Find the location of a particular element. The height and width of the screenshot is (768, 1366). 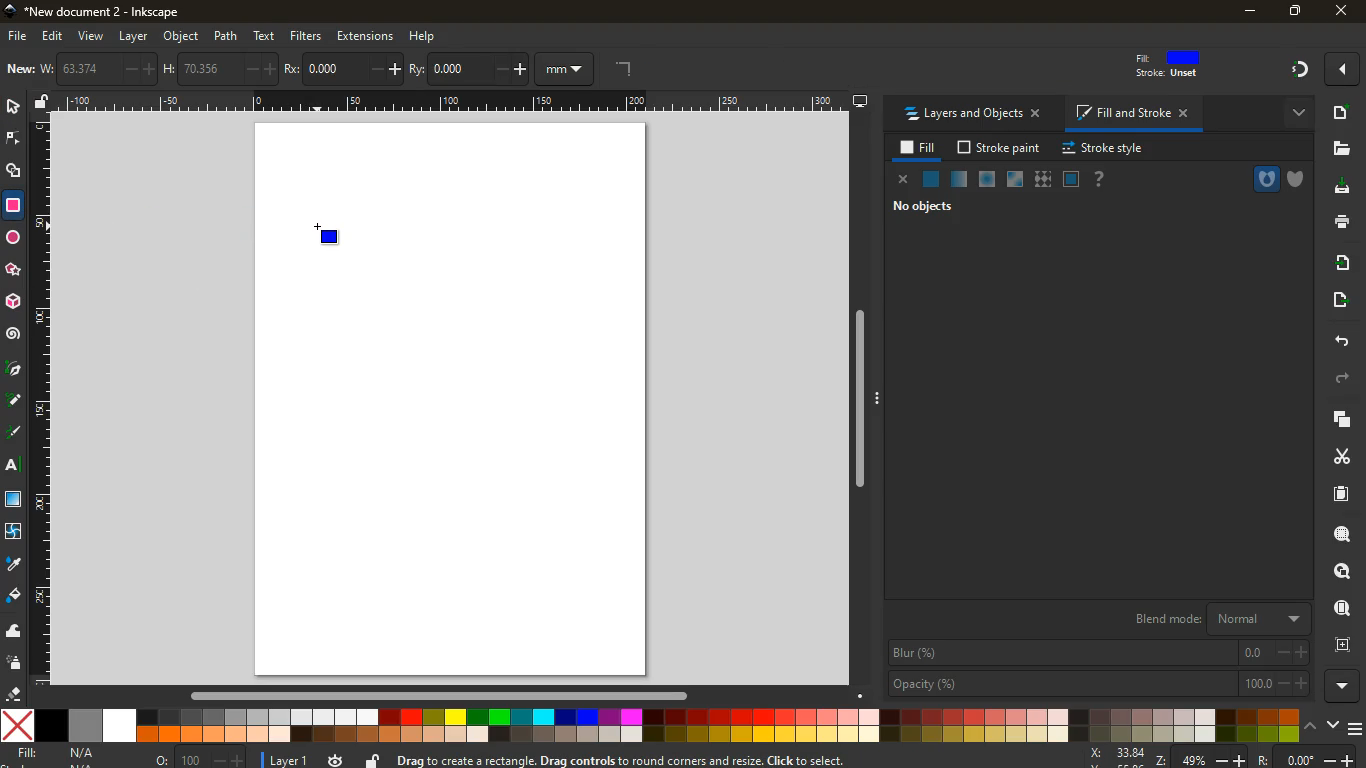

find is located at coordinates (1341, 608).